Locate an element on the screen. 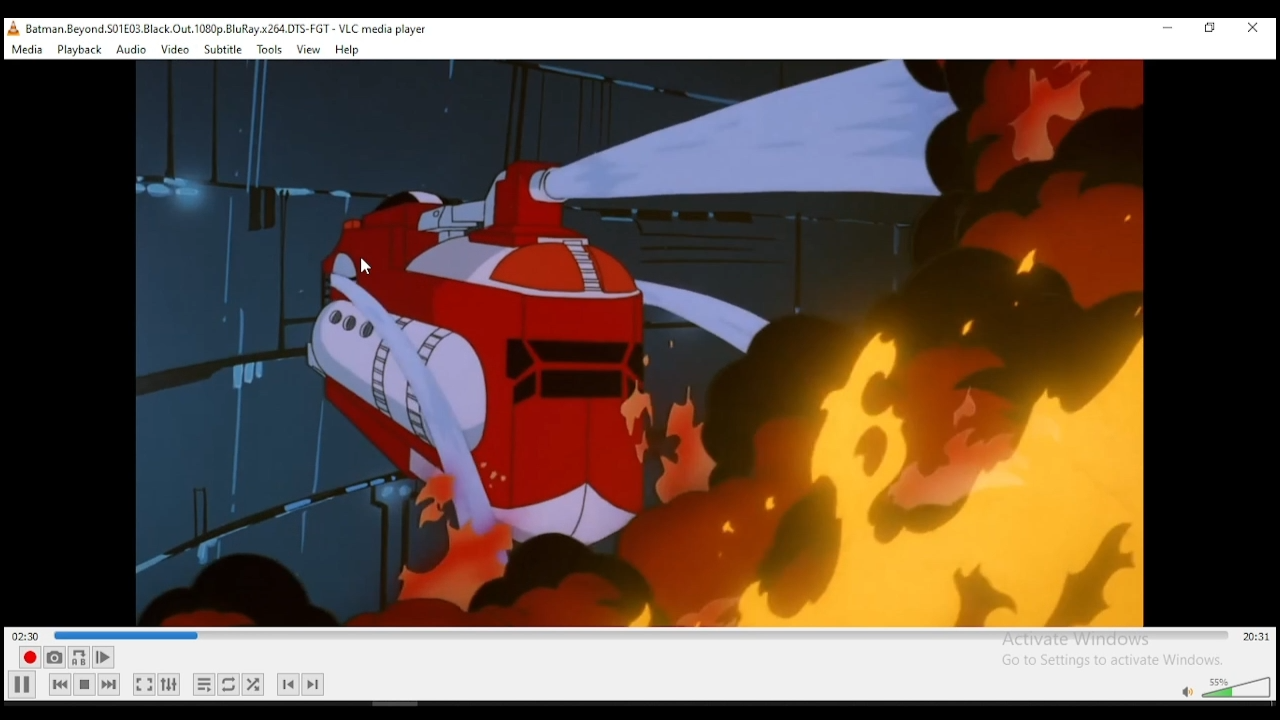  restore is located at coordinates (1212, 31).